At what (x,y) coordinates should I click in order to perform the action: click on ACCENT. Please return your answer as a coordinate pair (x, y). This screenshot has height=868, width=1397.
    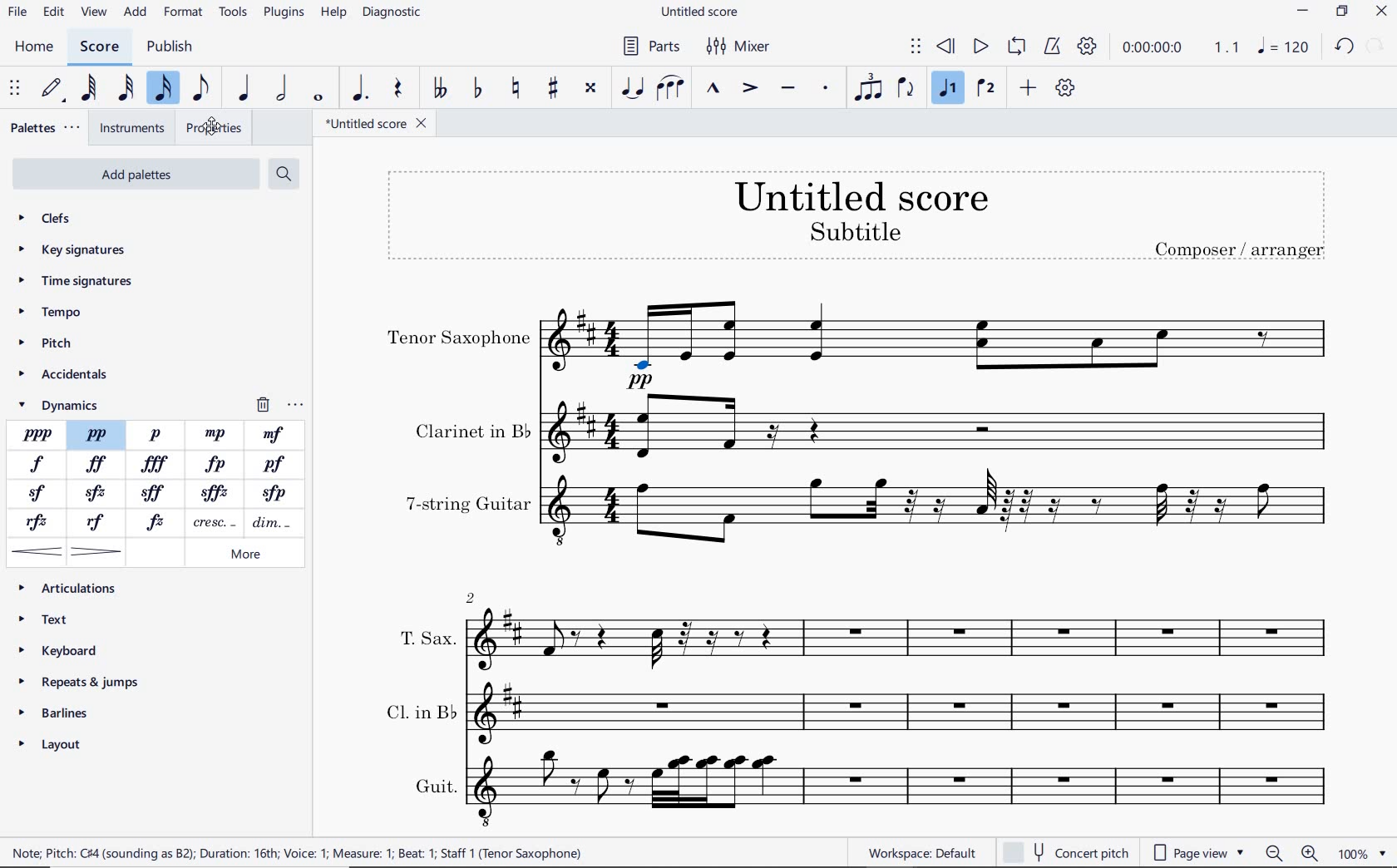
    Looking at the image, I should click on (753, 89).